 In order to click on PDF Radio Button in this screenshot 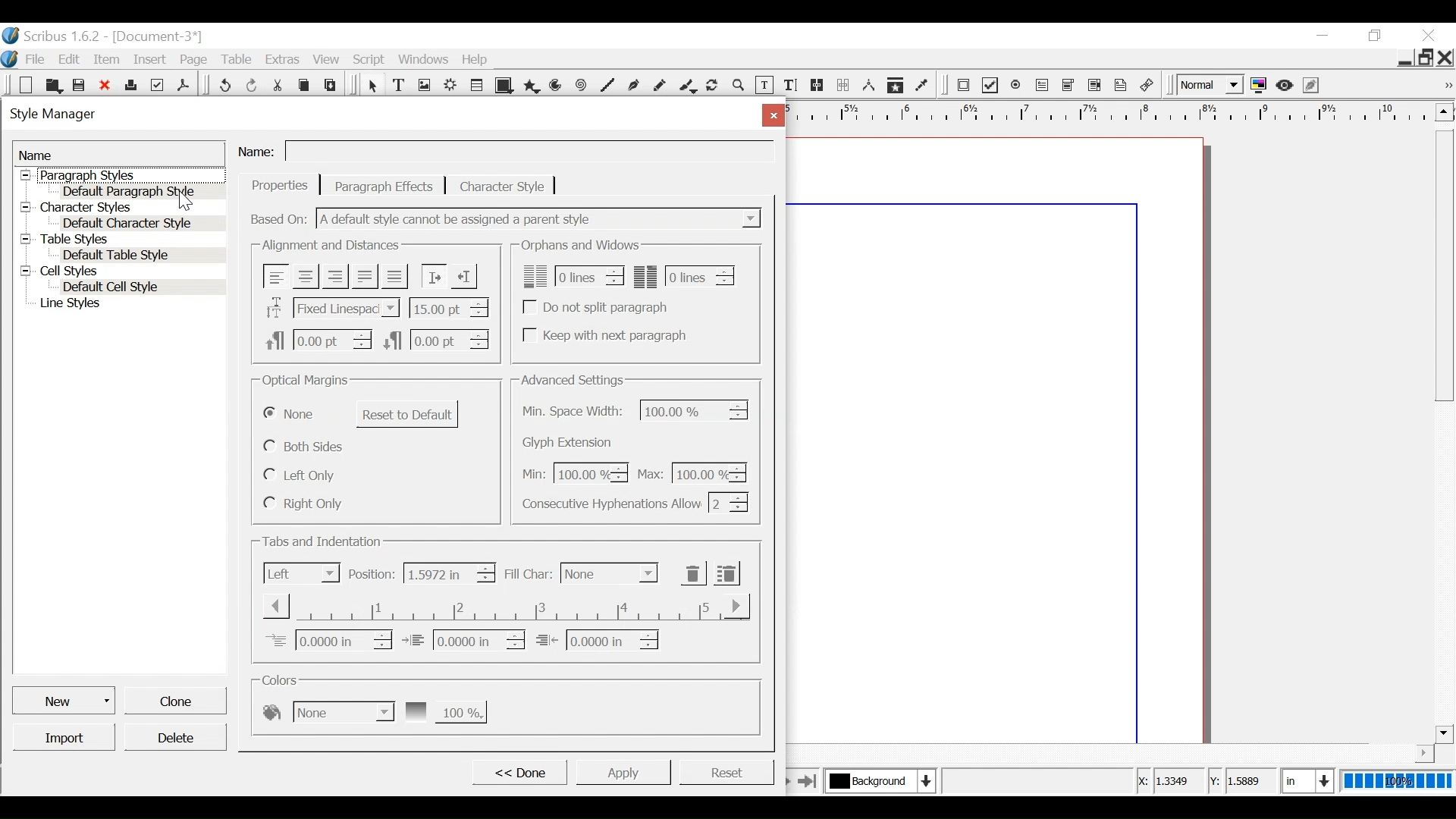, I will do `click(1017, 86)`.